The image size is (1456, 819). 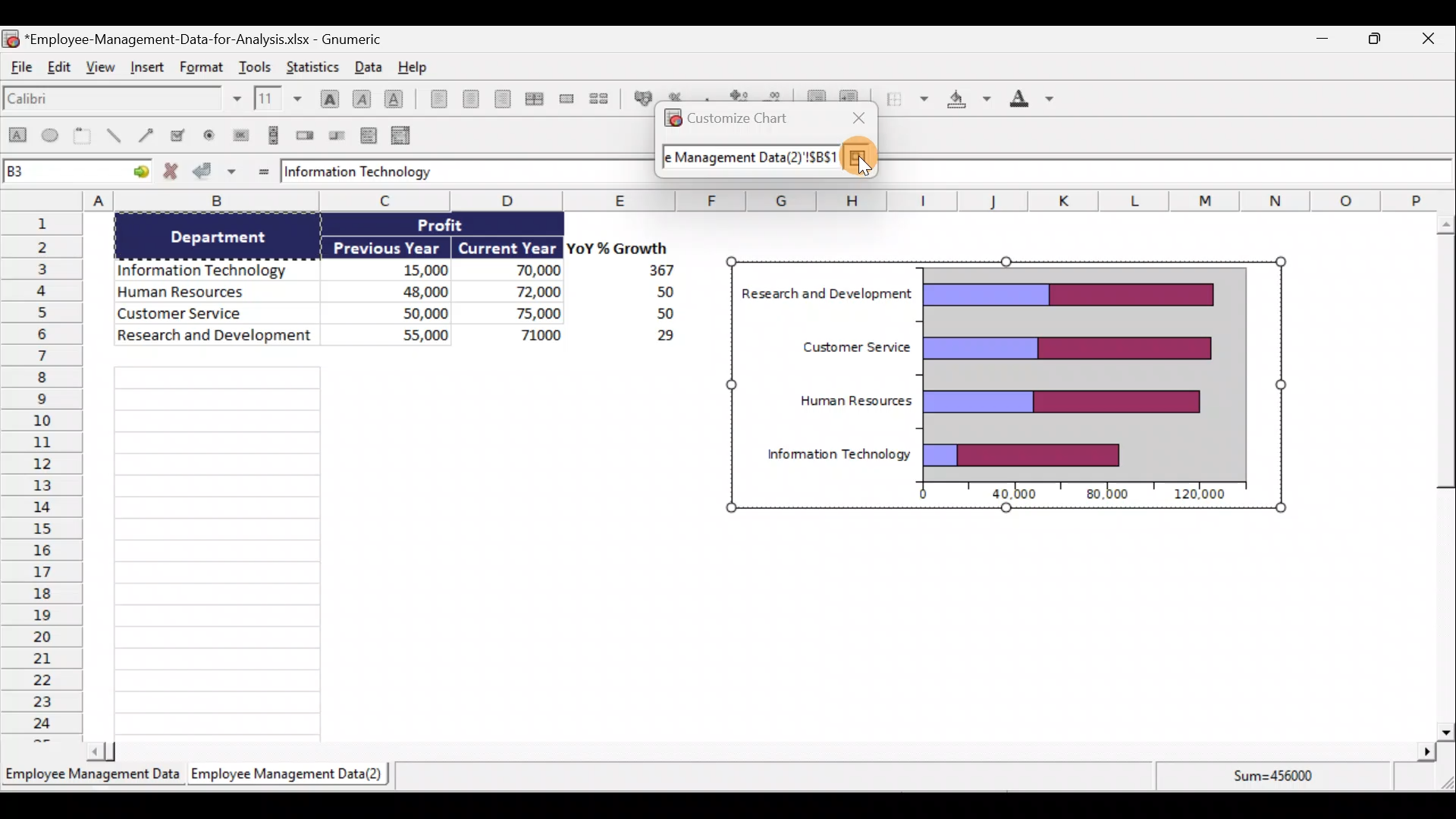 I want to click on Employee Management Data, so click(x=92, y=773).